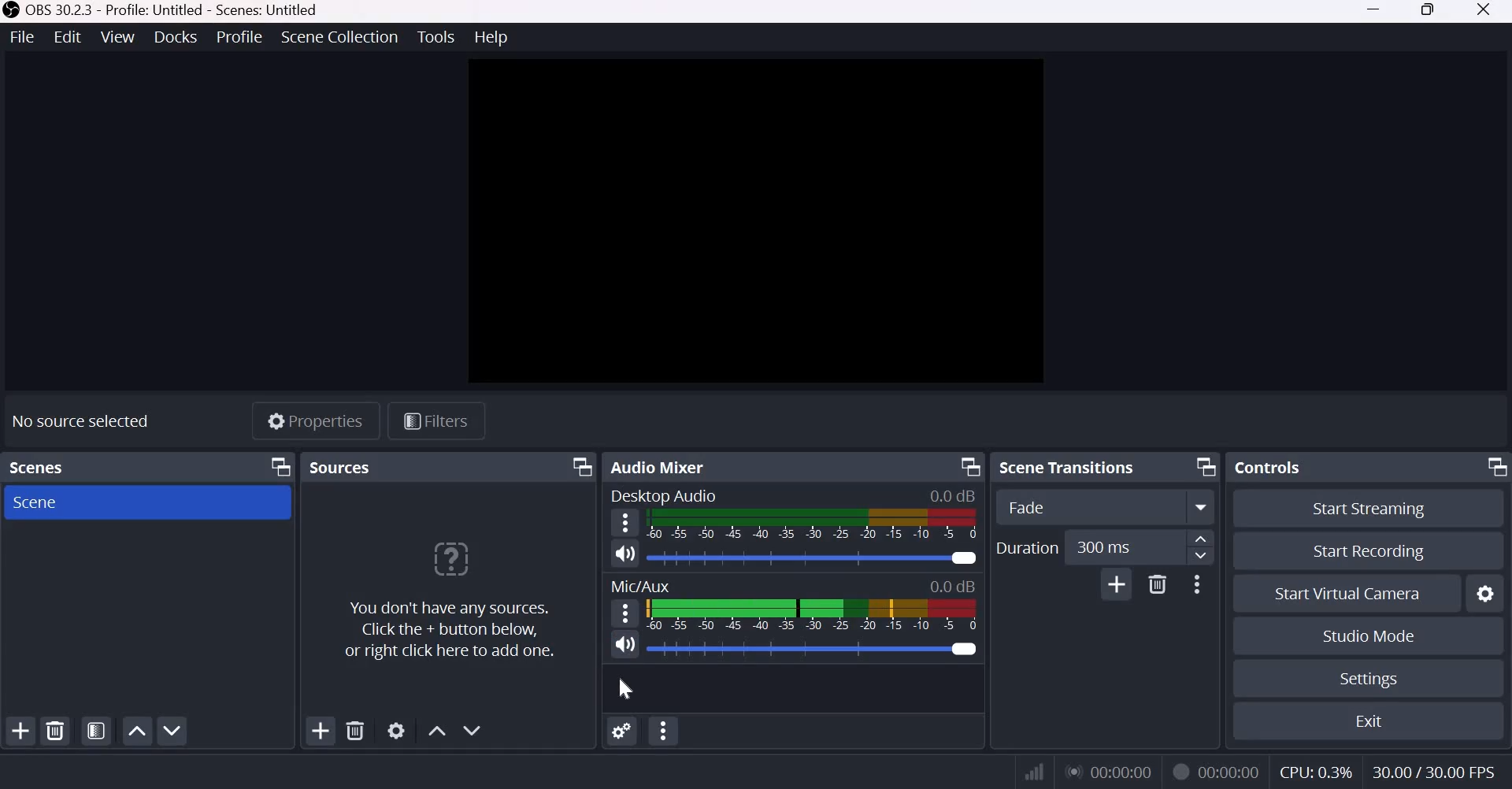 Image resolution: width=1512 pixels, height=789 pixels. What do you see at coordinates (665, 497) in the screenshot?
I see `Desktop Audio` at bounding box center [665, 497].